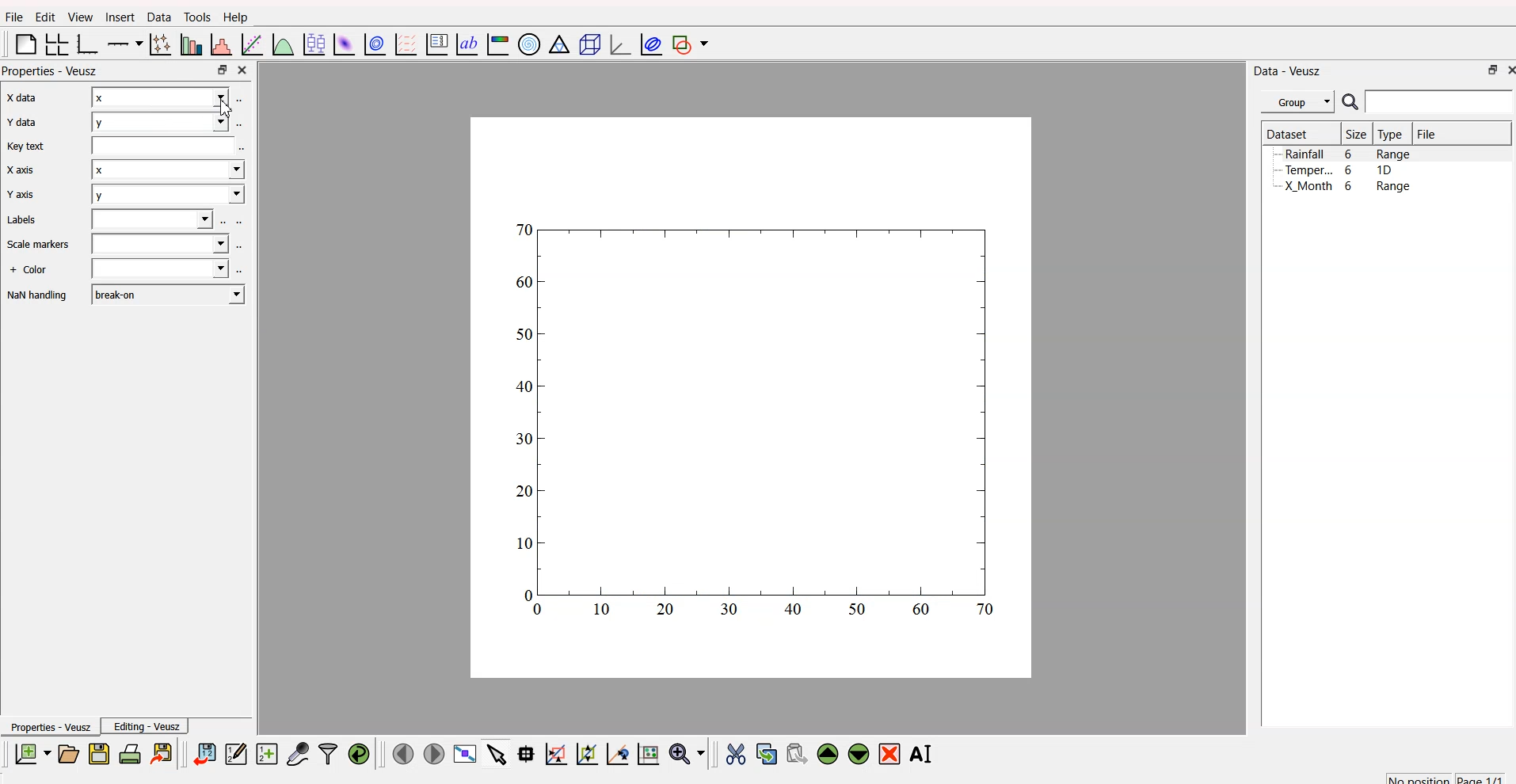 Image resolution: width=1516 pixels, height=784 pixels. I want to click on draw points, so click(584, 754).